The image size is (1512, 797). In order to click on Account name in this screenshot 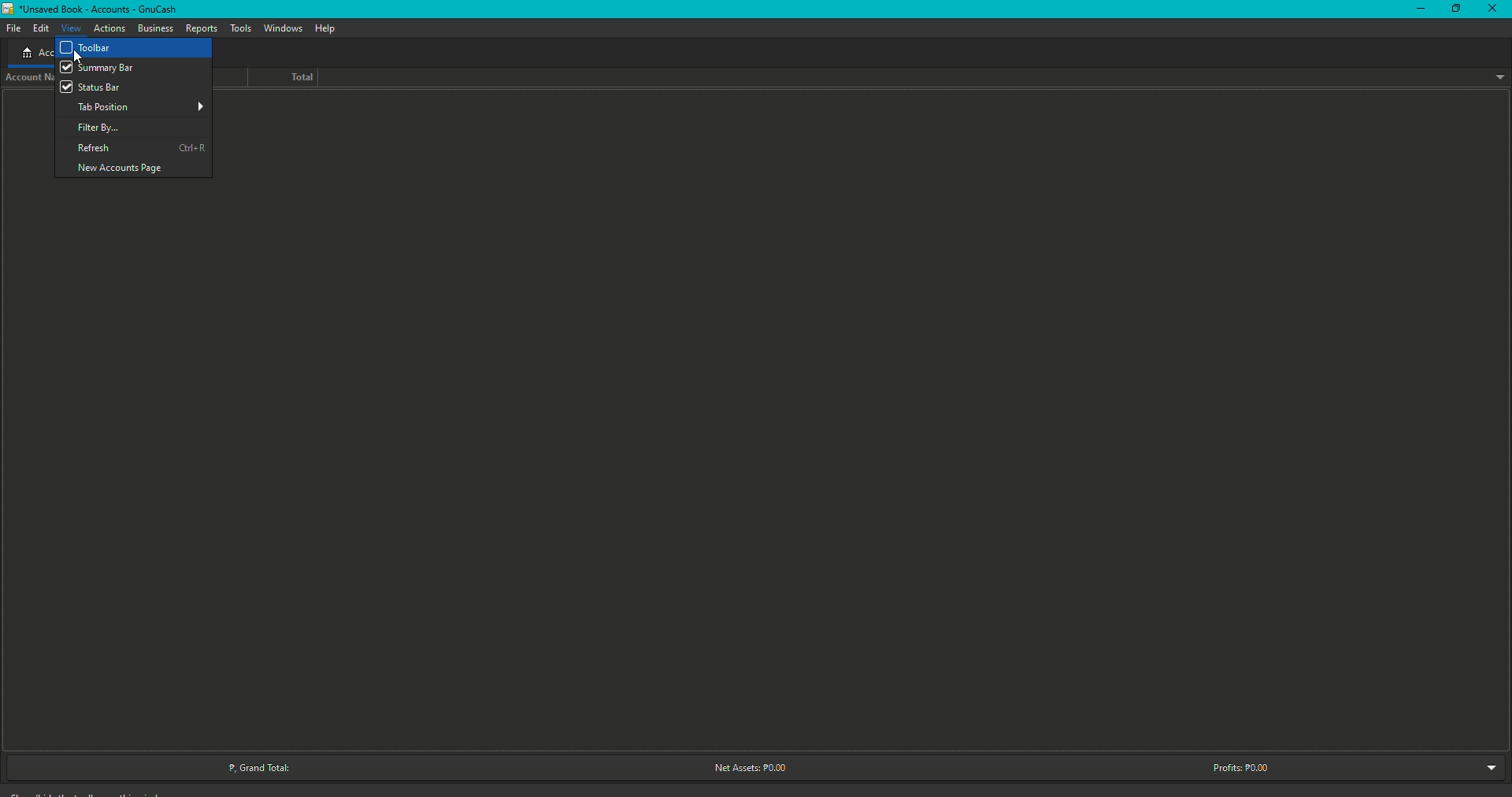, I will do `click(28, 80)`.